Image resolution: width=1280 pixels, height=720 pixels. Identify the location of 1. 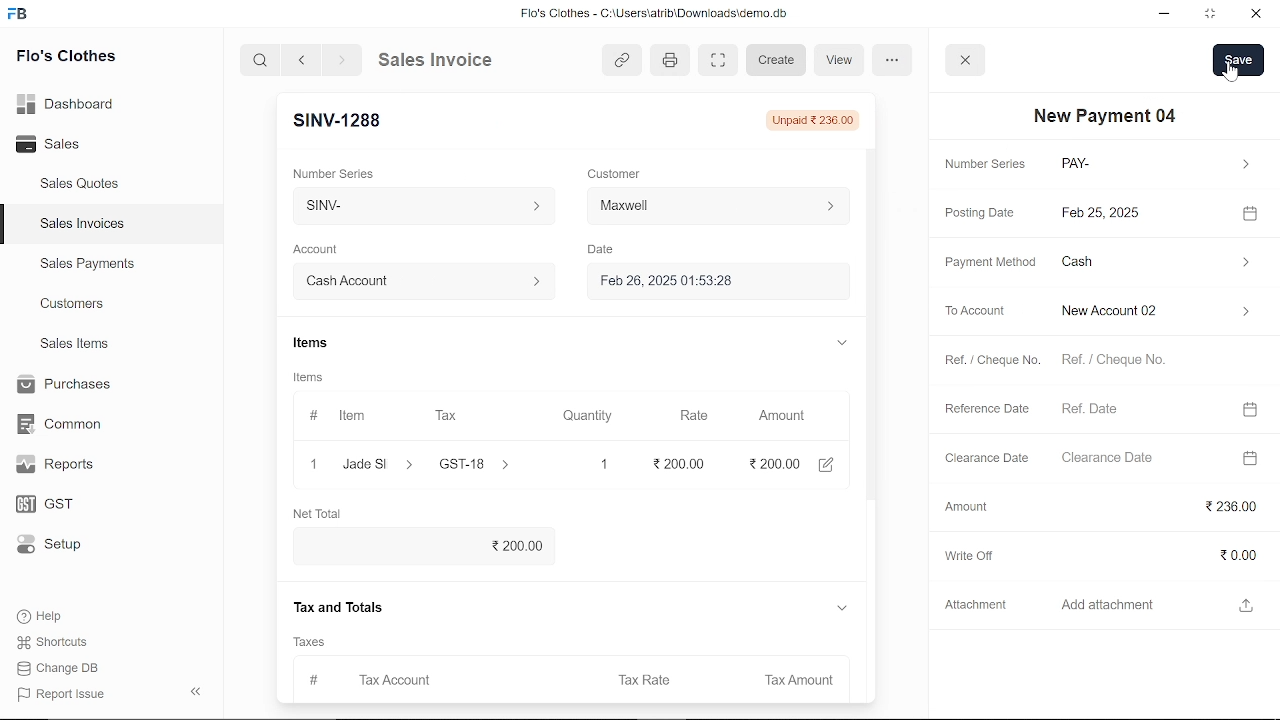
(314, 461).